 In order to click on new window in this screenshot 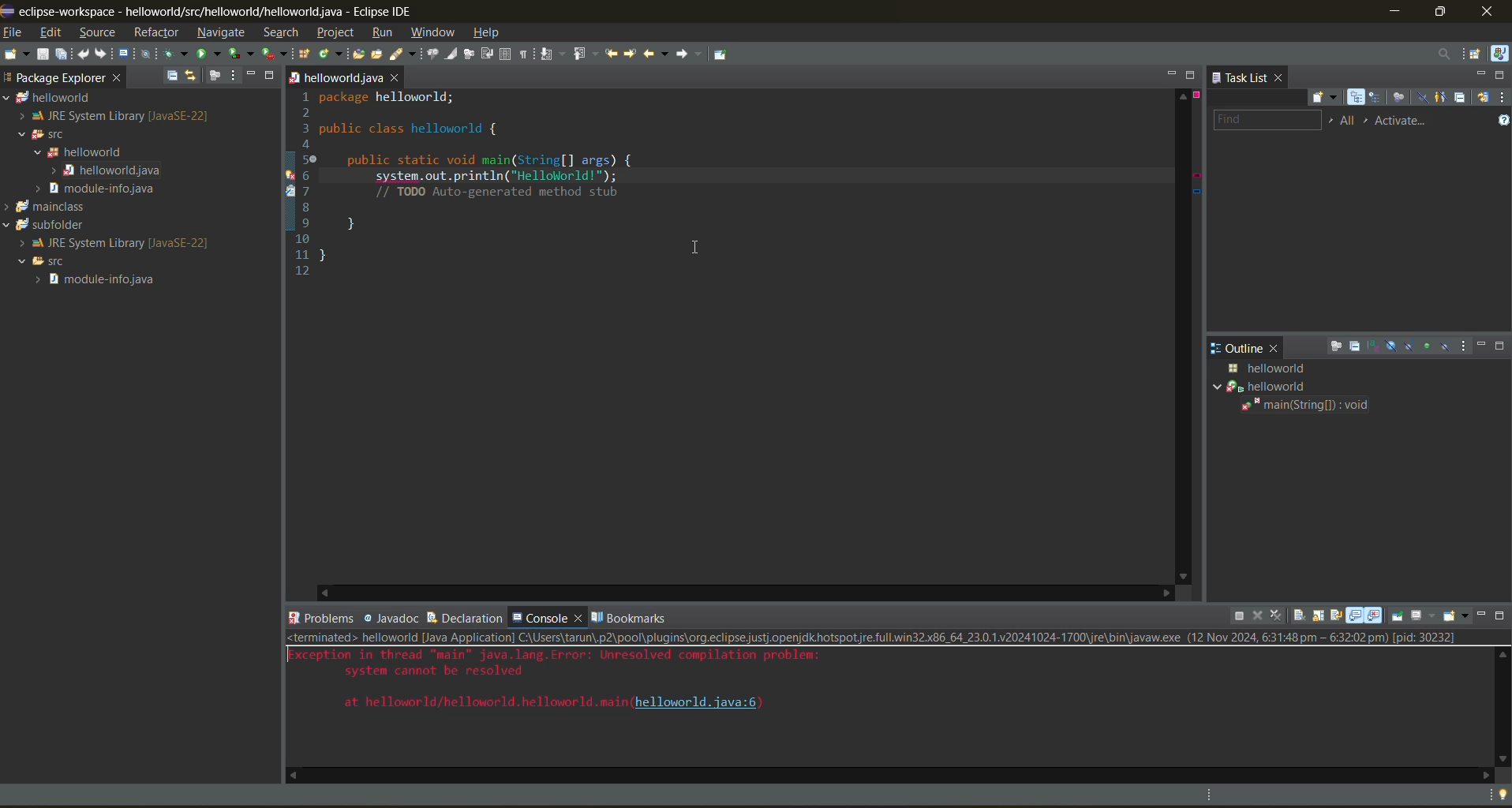, I will do `click(481, 56)`.